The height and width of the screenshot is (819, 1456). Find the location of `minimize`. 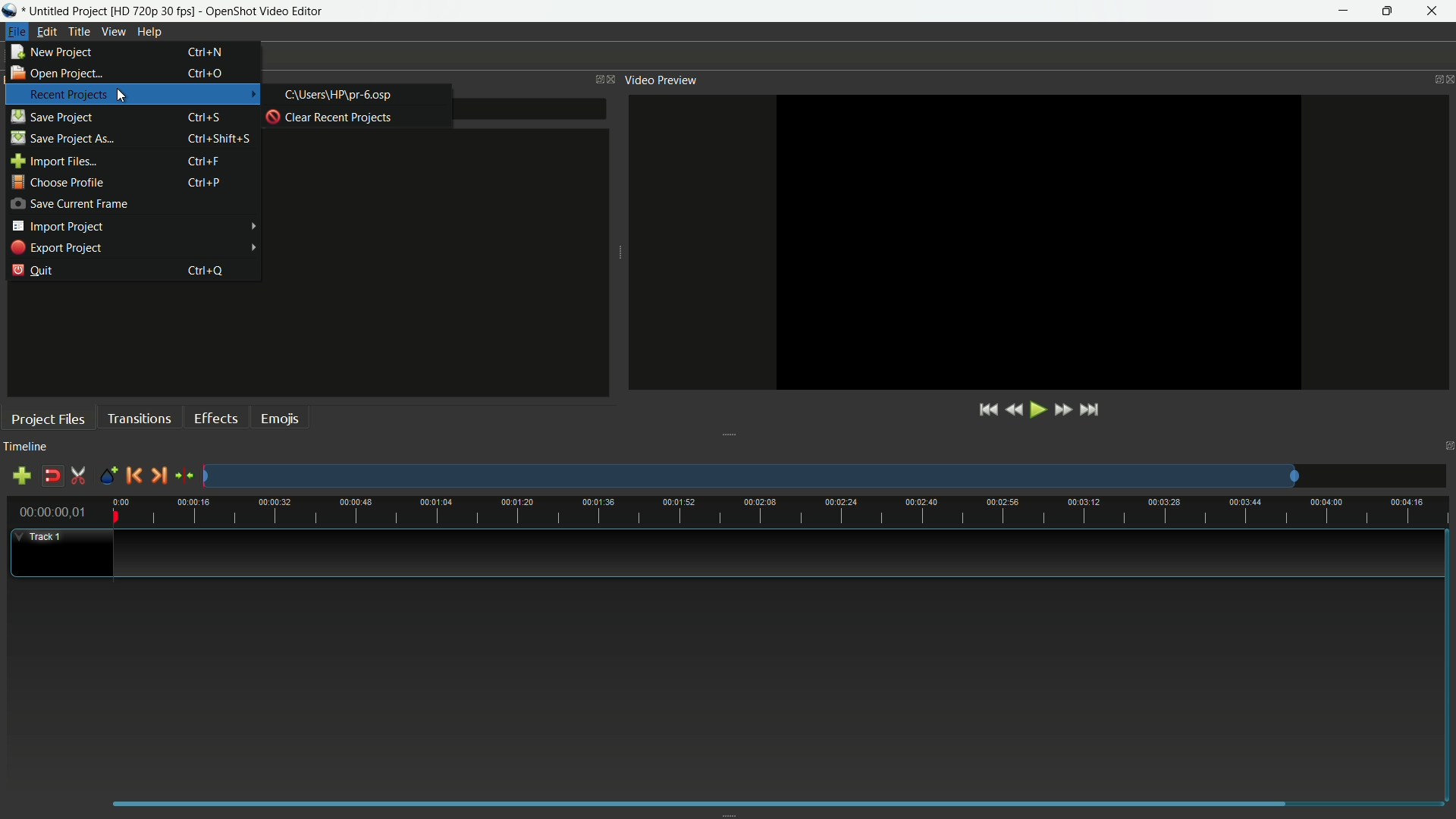

minimize is located at coordinates (1345, 11).